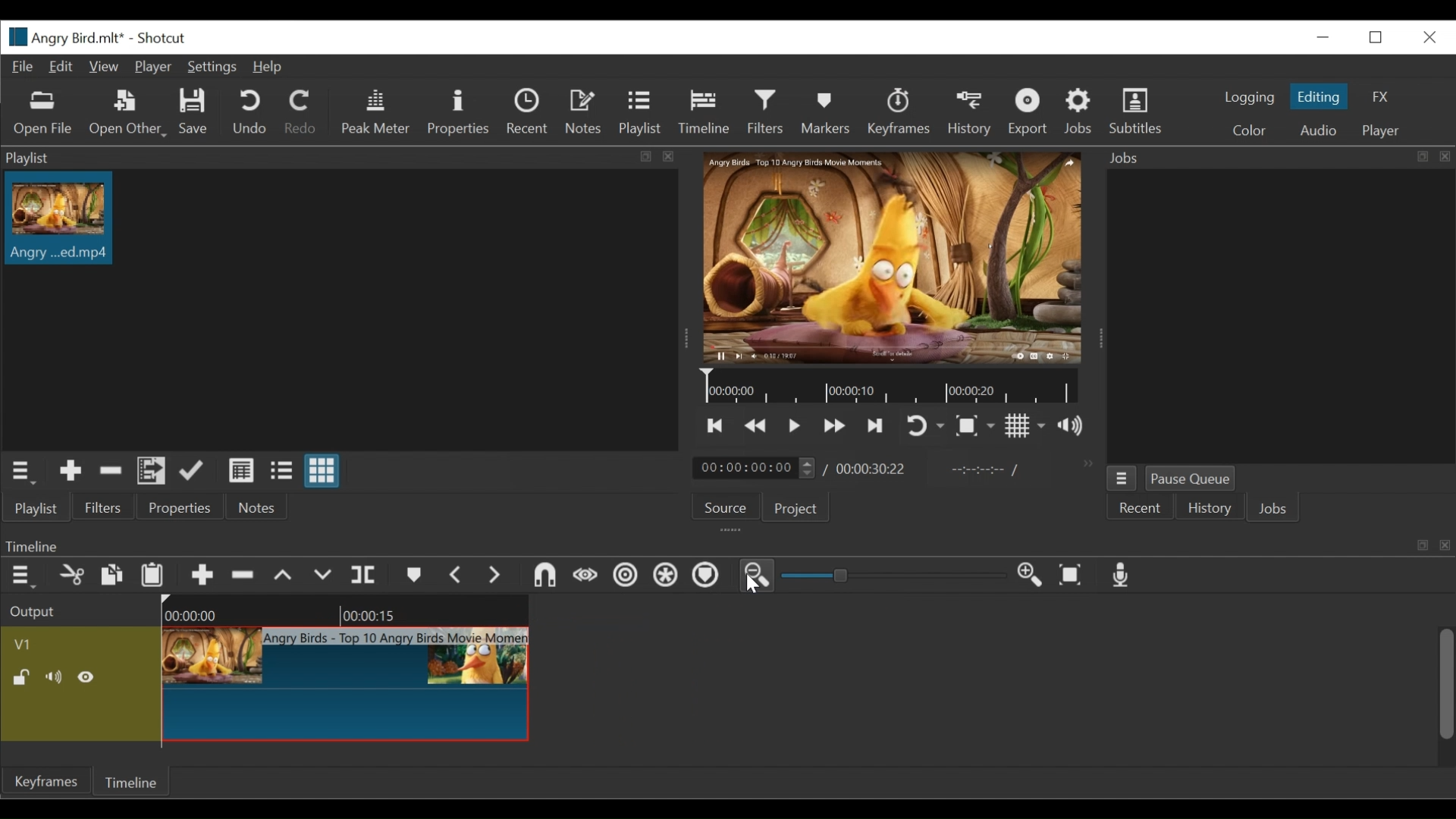  Describe the element at coordinates (924, 427) in the screenshot. I see `Toggle player on looping` at that location.